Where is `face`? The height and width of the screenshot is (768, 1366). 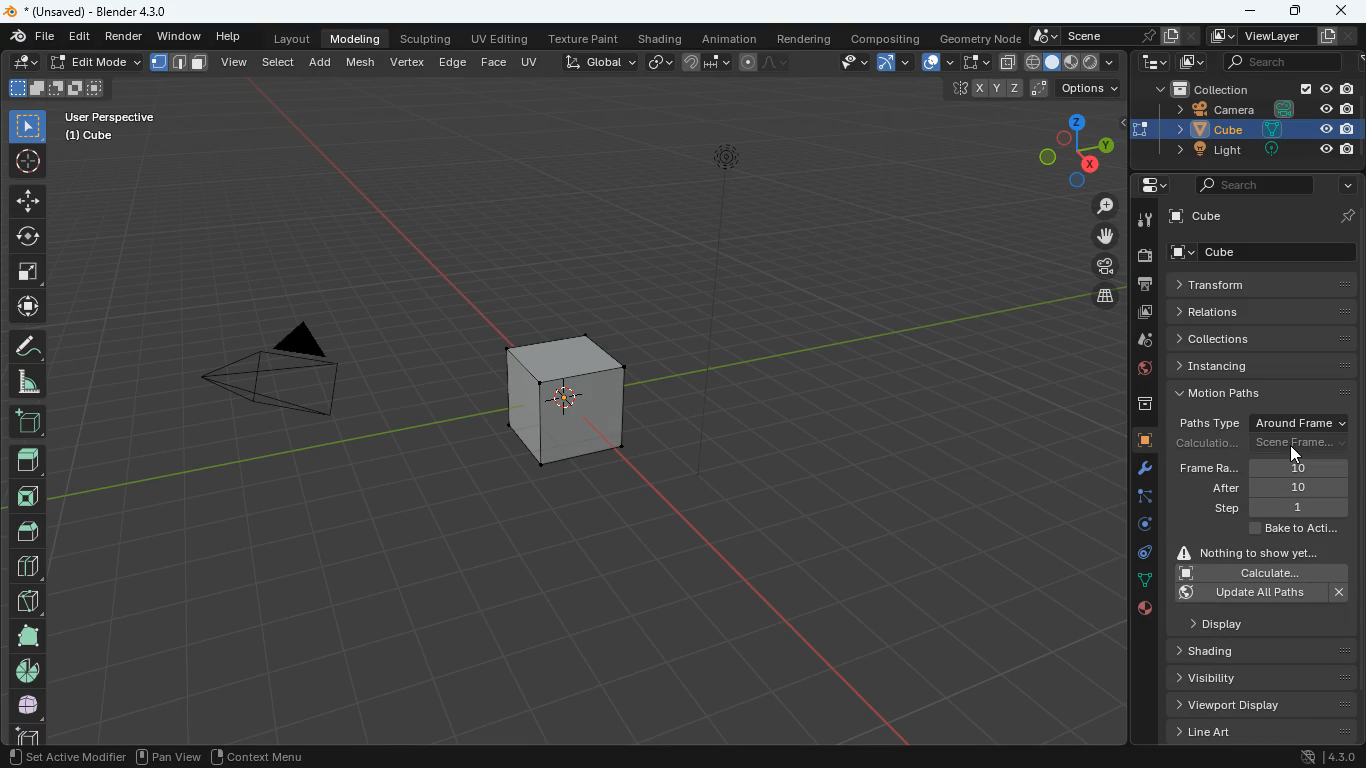
face is located at coordinates (495, 63).